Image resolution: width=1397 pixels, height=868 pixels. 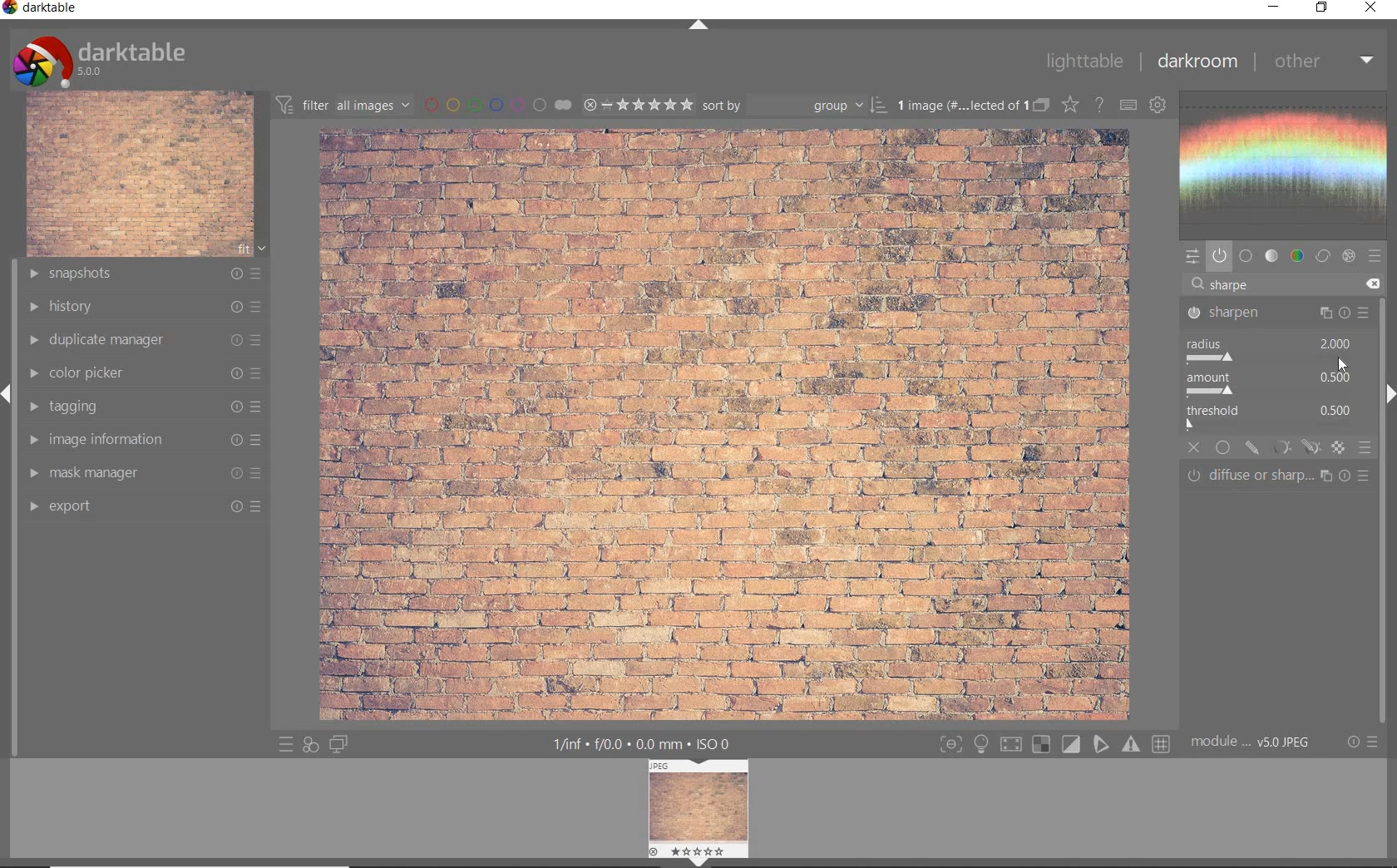 I want to click on filter by image color label, so click(x=496, y=104).